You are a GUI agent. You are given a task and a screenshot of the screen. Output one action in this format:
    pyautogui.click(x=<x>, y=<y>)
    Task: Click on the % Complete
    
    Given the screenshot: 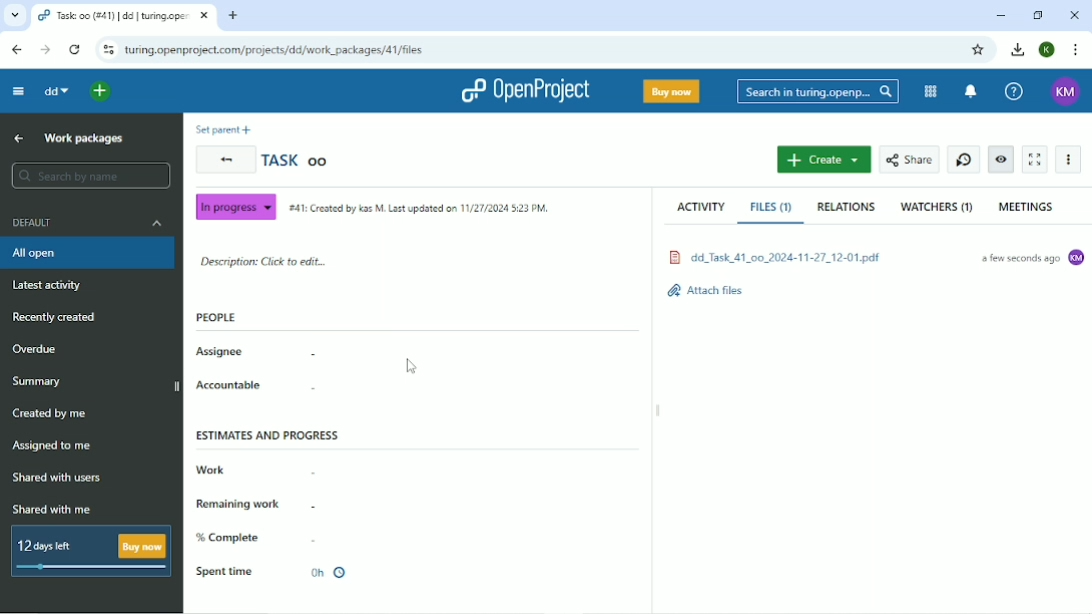 What is the action you would take?
    pyautogui.click(x=232, y=538)
    